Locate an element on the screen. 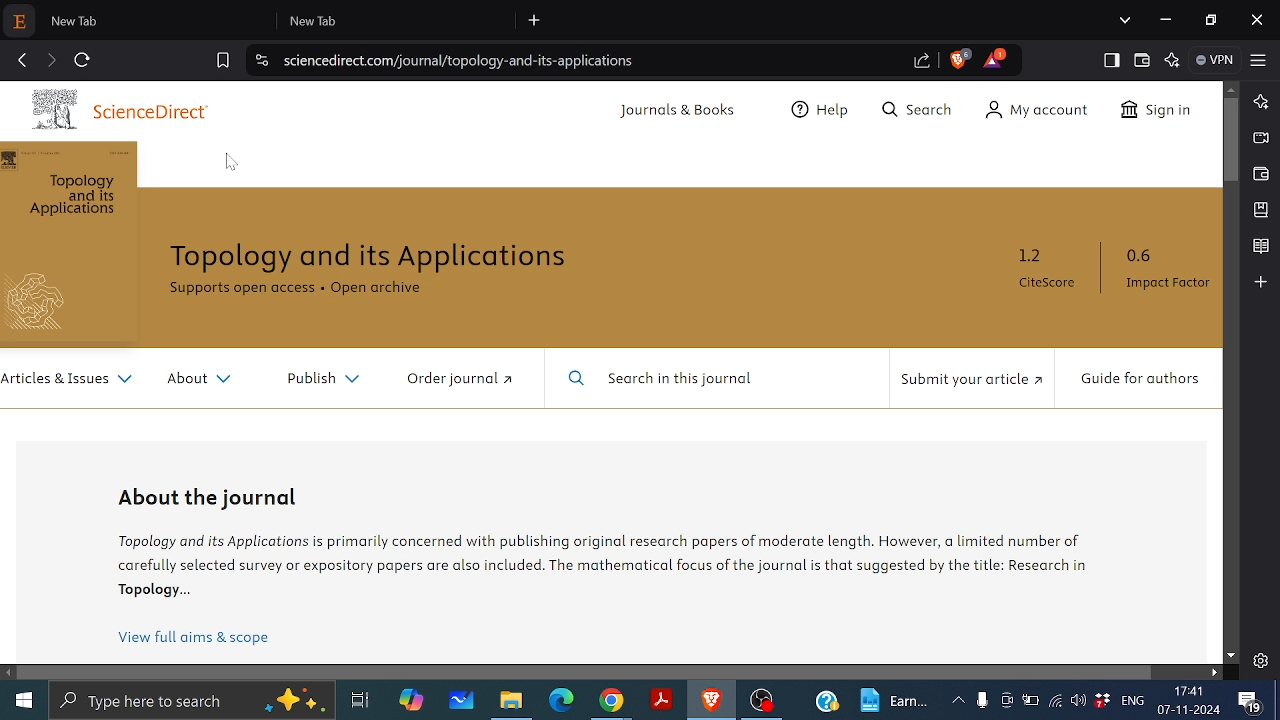 This screenshot has width=1280, height=720. Dropbox is located at coordinates (1101, 701).